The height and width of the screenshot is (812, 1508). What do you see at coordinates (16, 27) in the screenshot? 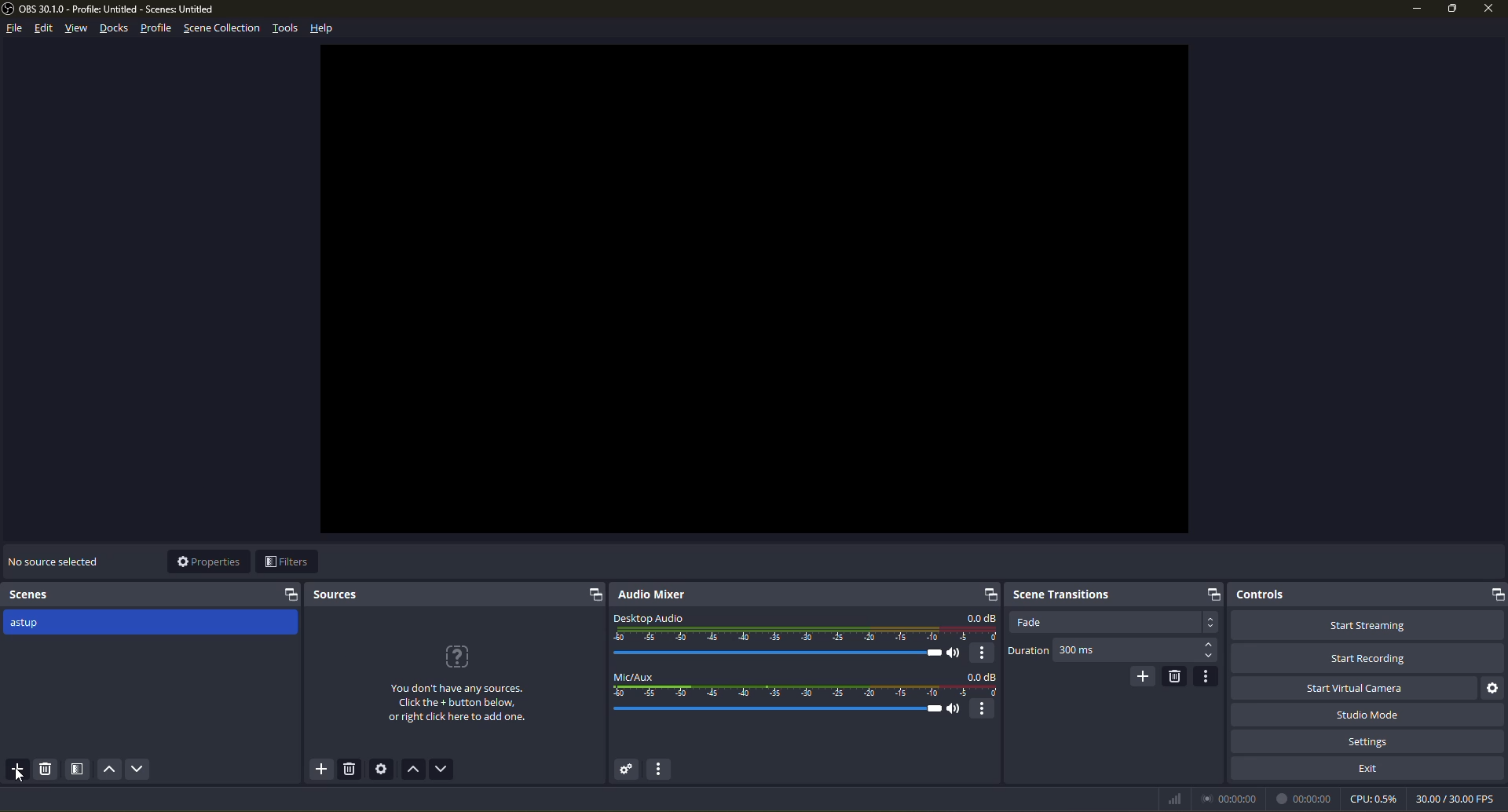
I see `file` at bounding box center [16, 27].